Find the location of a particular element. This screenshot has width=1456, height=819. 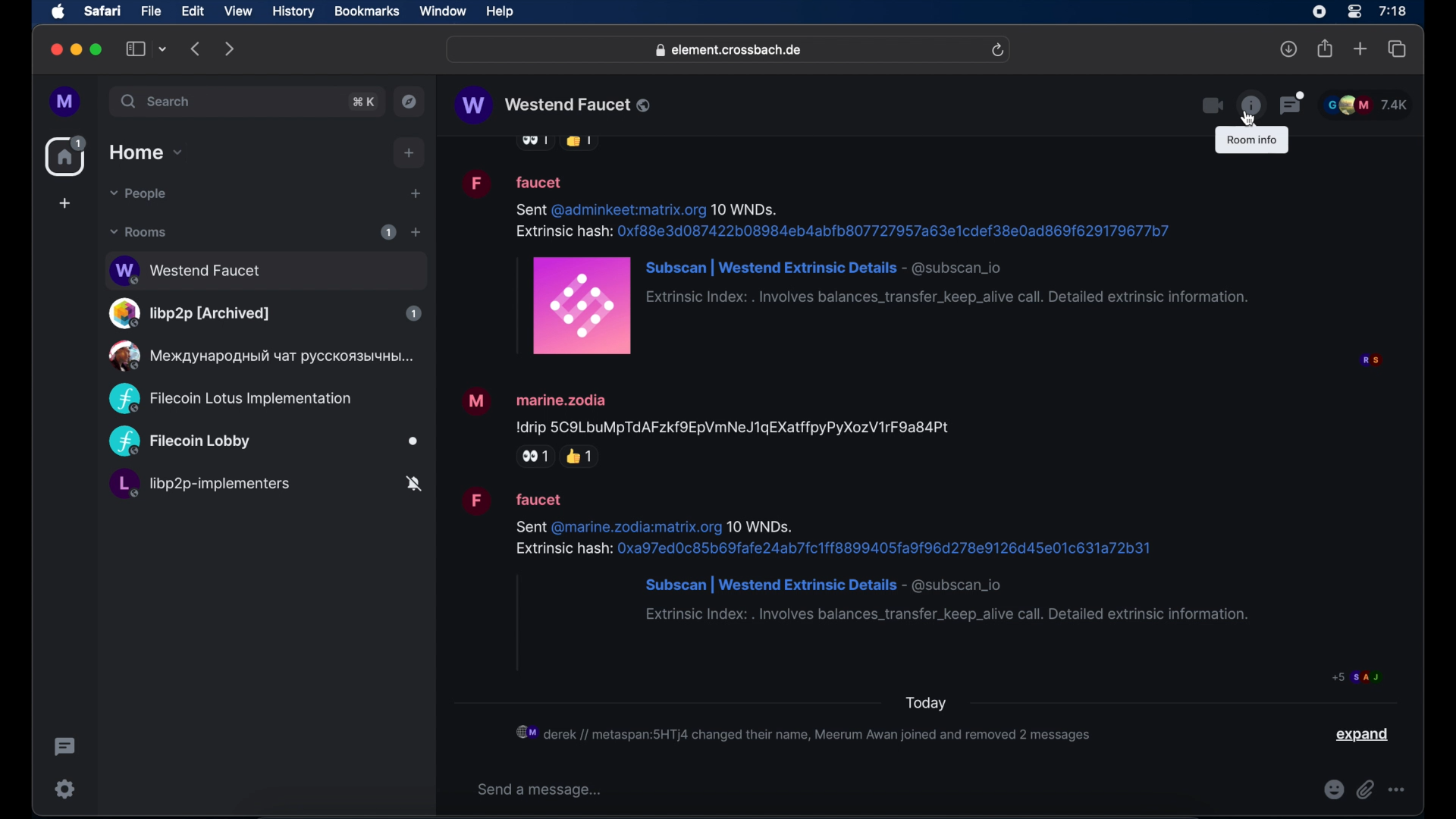

maximize is located at coordinates (98, 49).